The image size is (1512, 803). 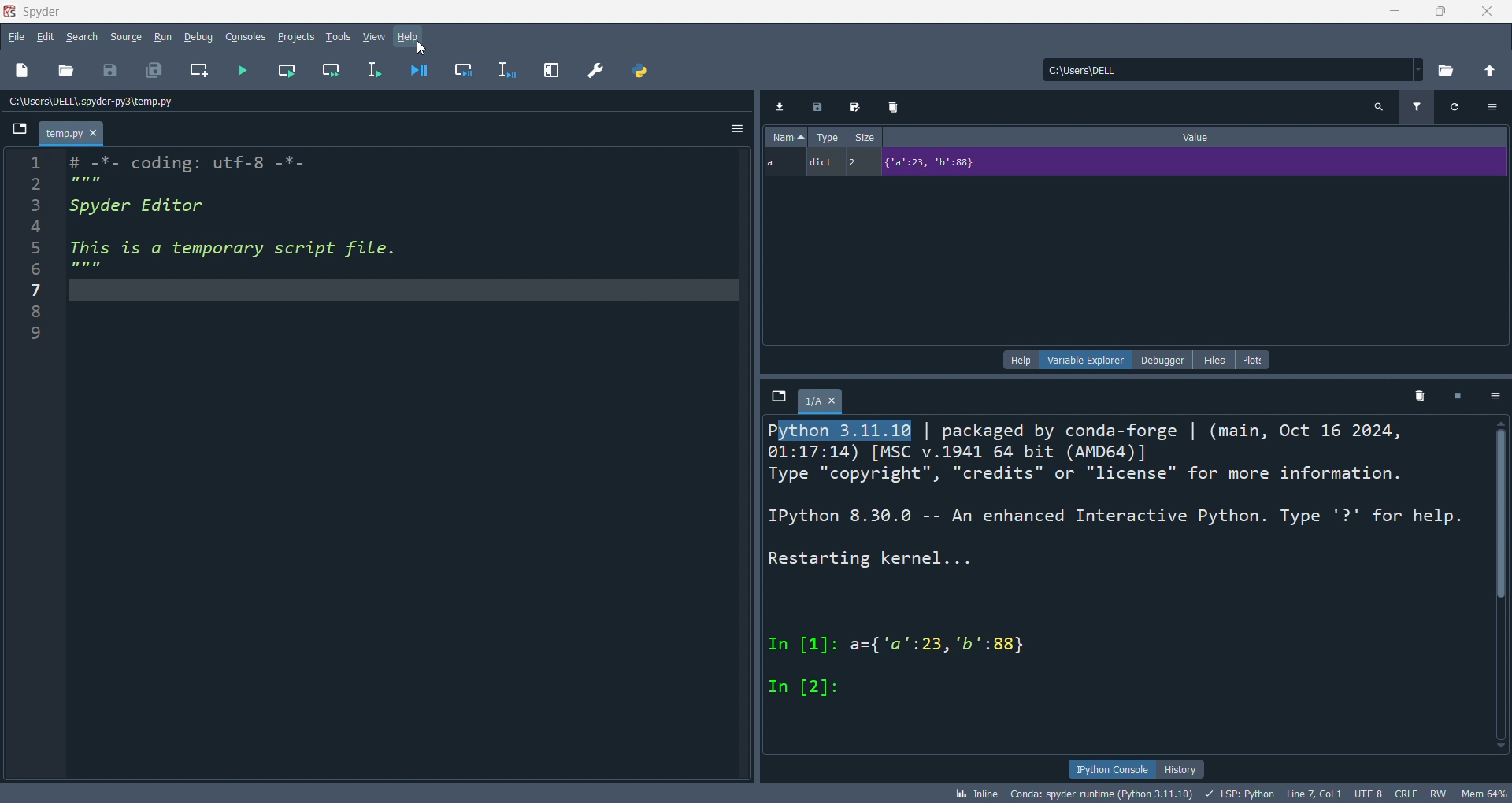 What do you see at coordinates (200, 71) in the screenshot?
I see `new cell` at bounding box center [200, 71].